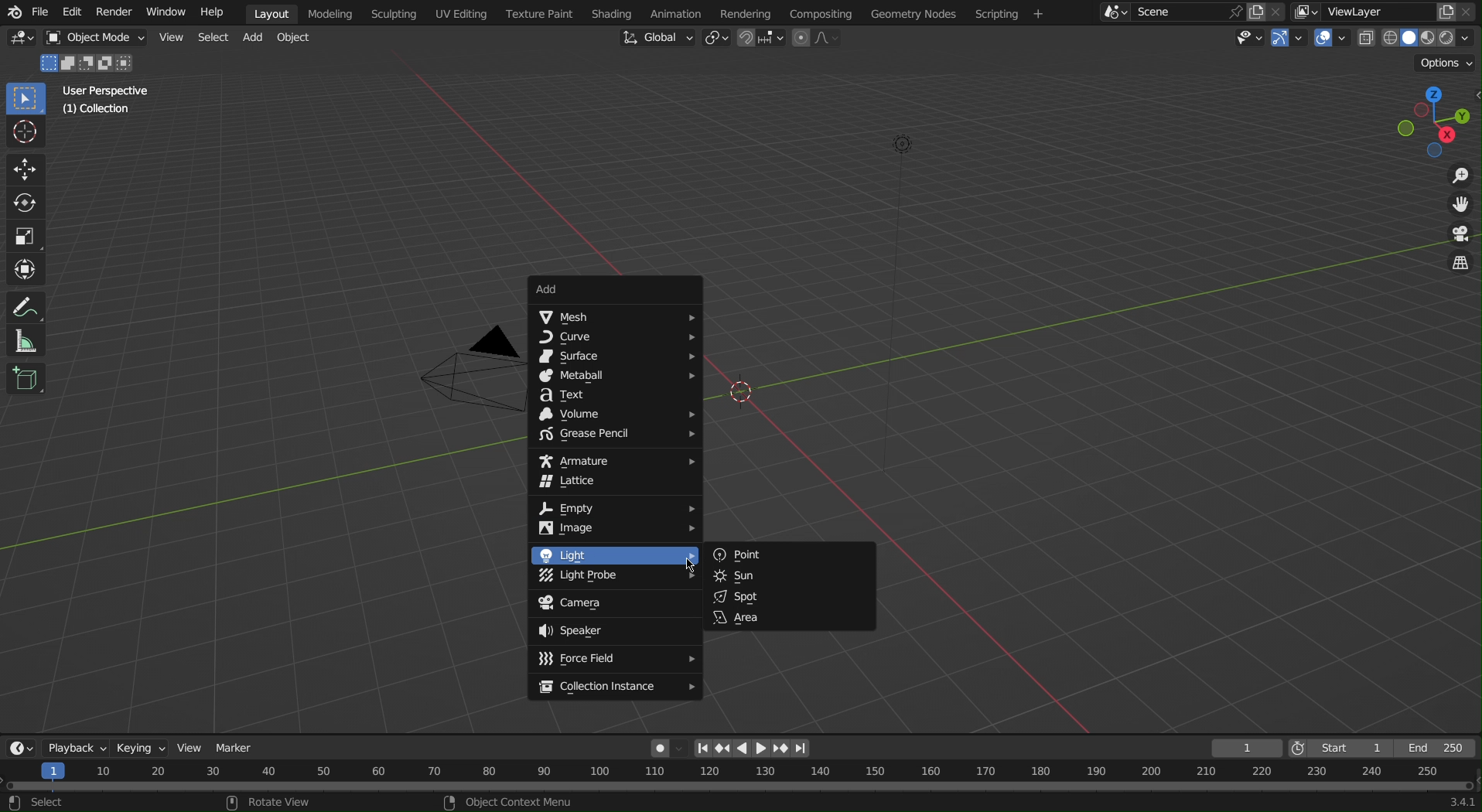 This screenshot has width=1482, height=812. I want to click on View Layer, so click(1357, 11).